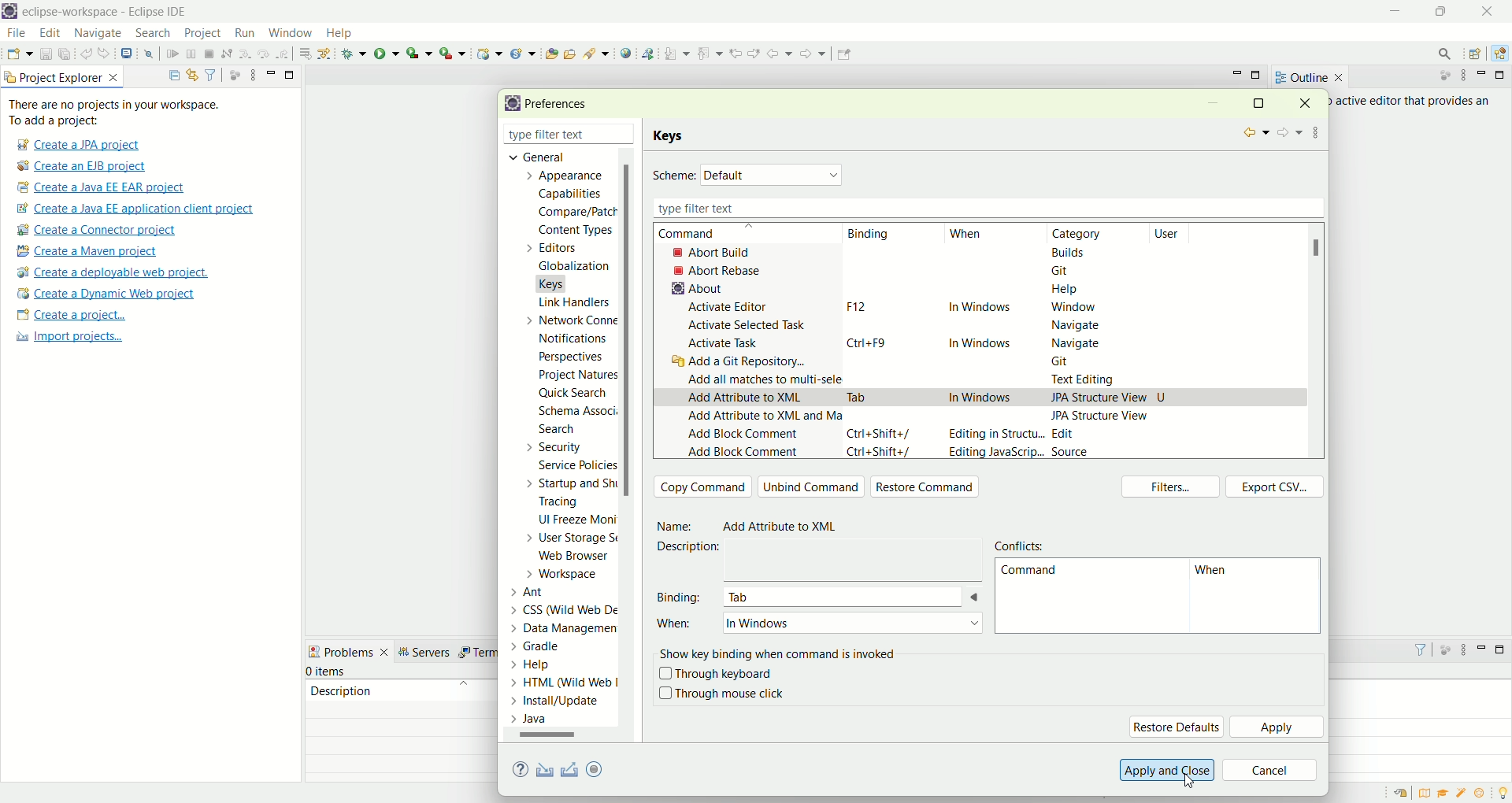  Describe the element at coordinates (9, 13) in the screenshot. I see `logo` at that location.